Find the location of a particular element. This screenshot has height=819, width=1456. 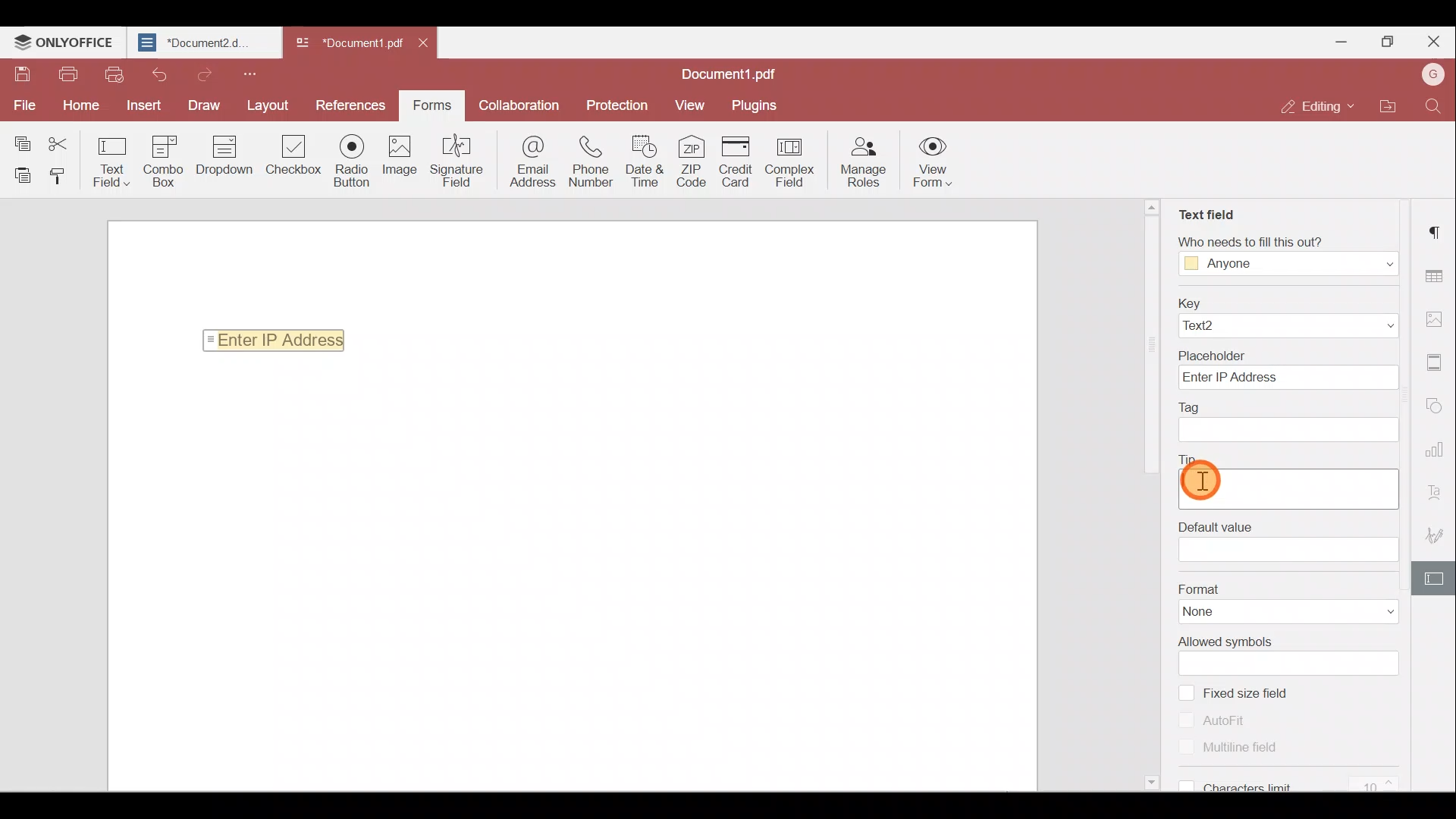

Who needs to fill this out? is located at coordinates (1279, 239).